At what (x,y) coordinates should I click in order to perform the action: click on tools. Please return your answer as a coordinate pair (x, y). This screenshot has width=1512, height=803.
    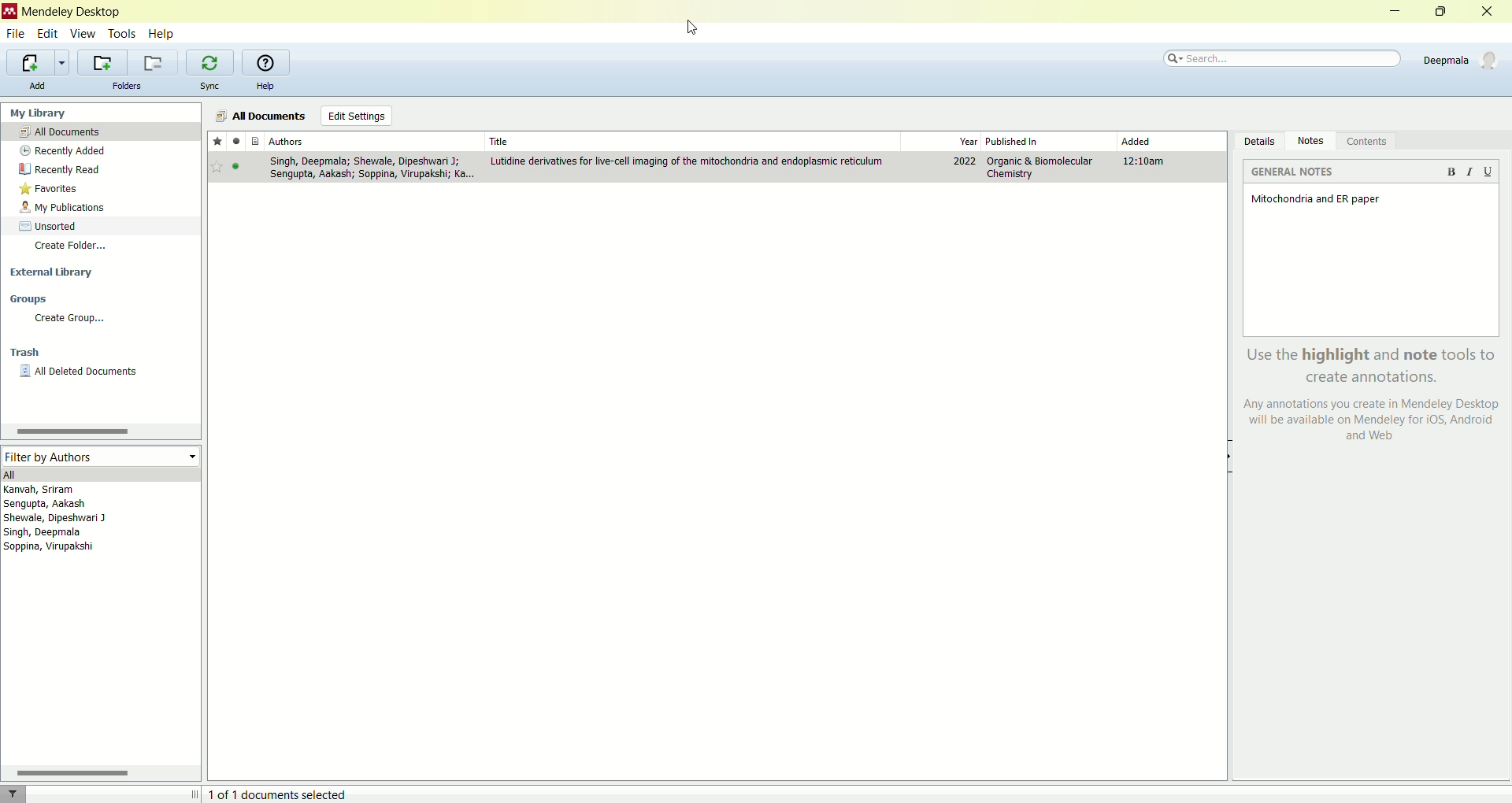
    Looking at the image, I should click on (122, 33).